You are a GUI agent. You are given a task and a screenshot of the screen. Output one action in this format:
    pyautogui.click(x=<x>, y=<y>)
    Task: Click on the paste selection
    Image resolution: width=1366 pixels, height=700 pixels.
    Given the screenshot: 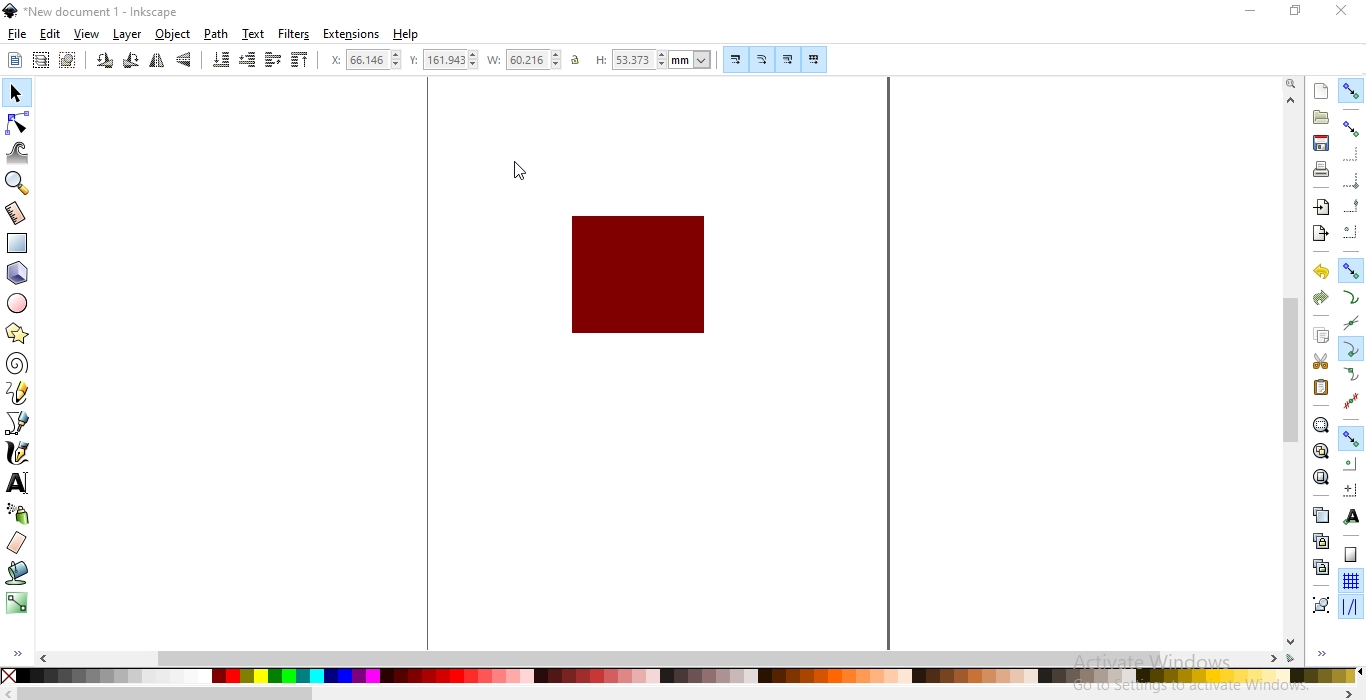 What is the action you would take?
    pyautogui.click(x=1321, y=388)
    